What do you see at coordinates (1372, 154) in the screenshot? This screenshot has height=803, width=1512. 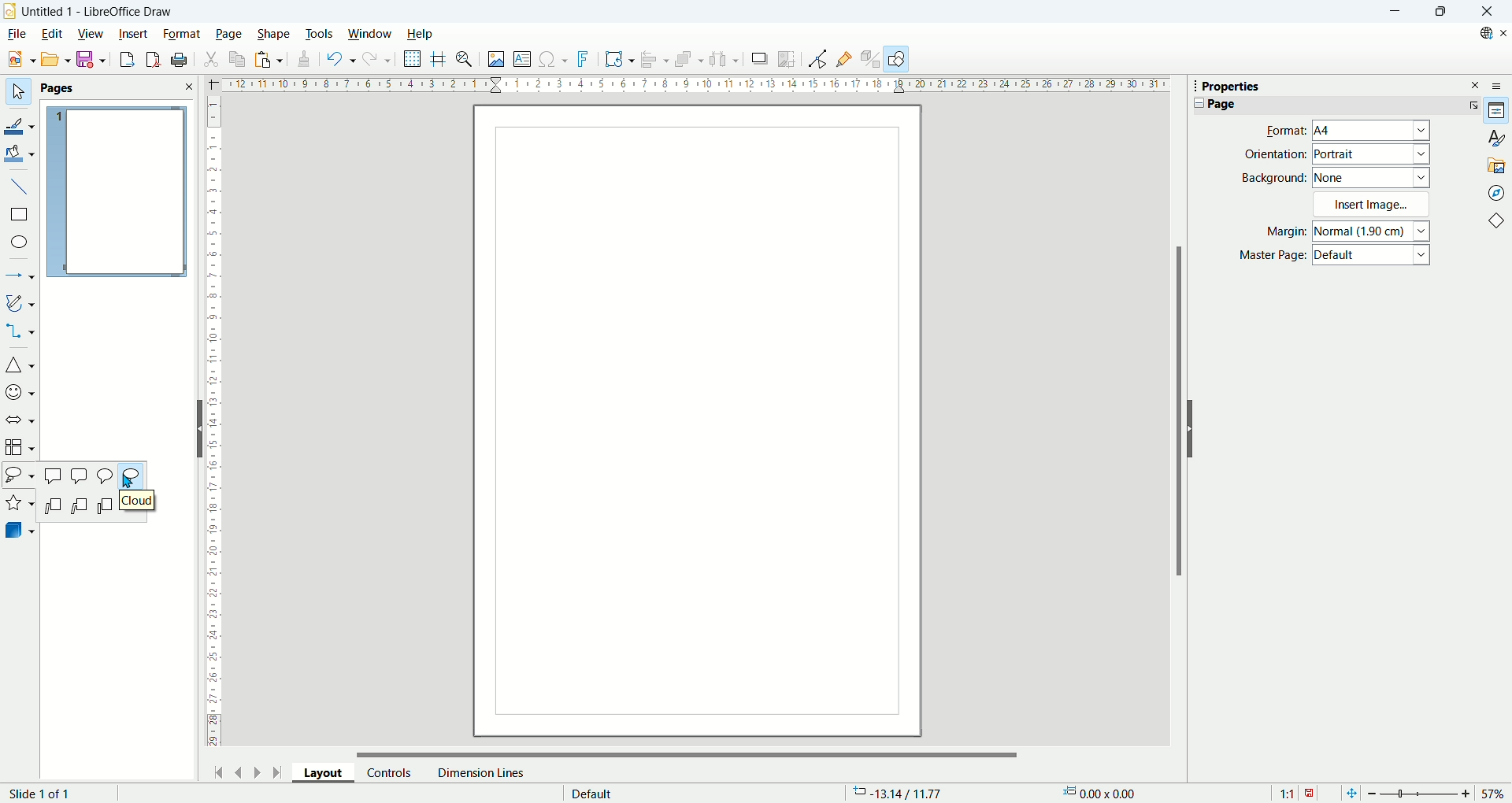 I see `Portrait` at bounding box center [1372, 154].